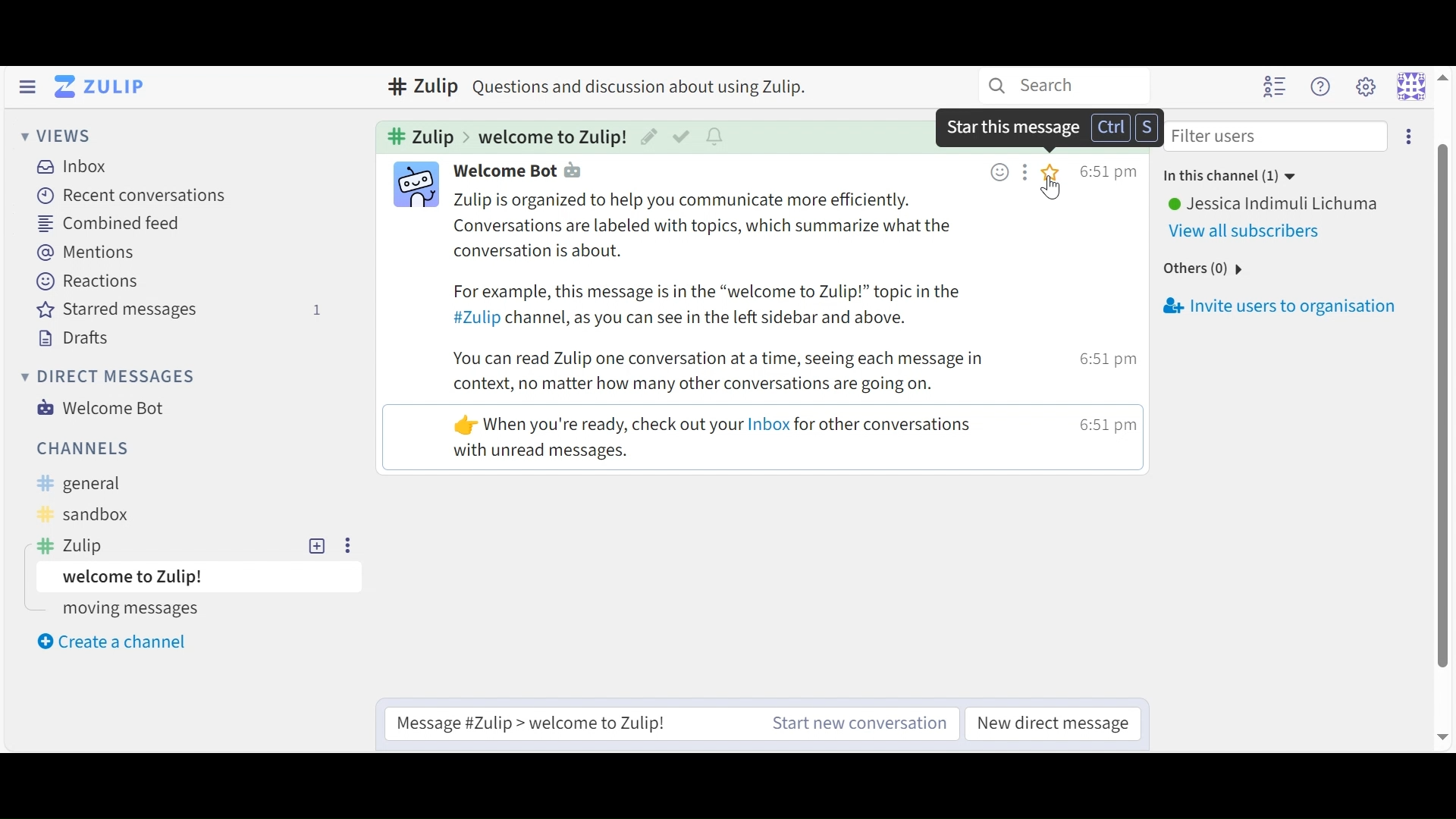 This screenshot has width=1456, height=819. Describe the element at coordinates (85, 282) in the screenshot. I see `Reactions` at that location.